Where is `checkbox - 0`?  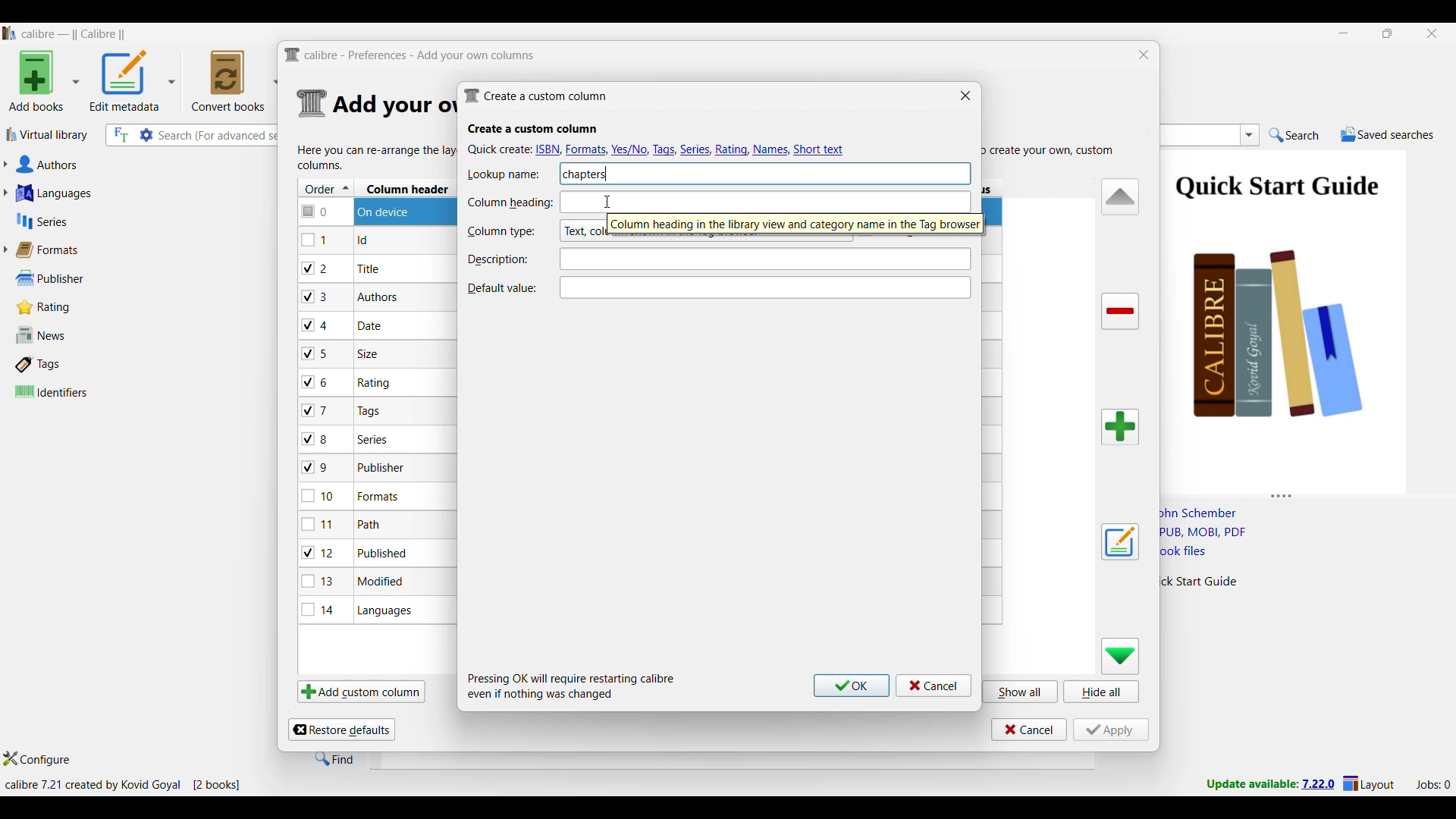
checkbox - 0 is located at coordinates (316, 210).